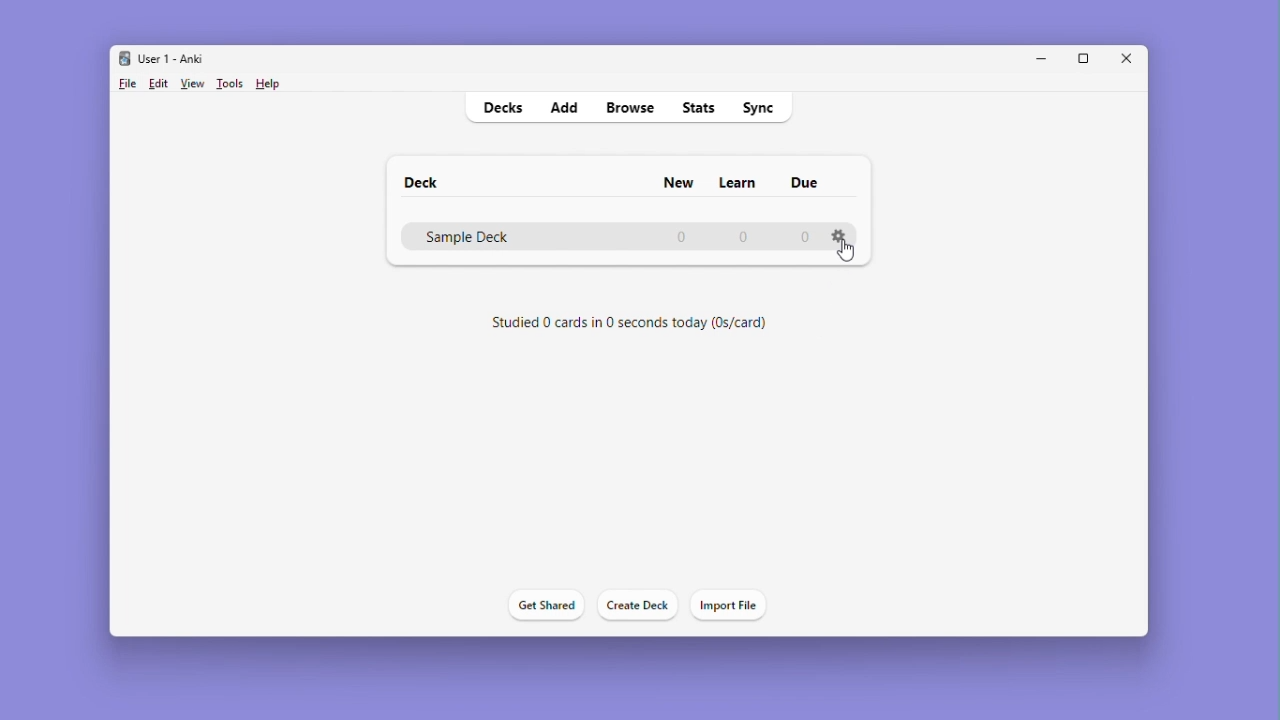 The width and height of the screenshot is (1280, 720). What do you see at coordinates (633, 606) in the screenshot?
I see `Create deck` at bounding box center [633, 606].